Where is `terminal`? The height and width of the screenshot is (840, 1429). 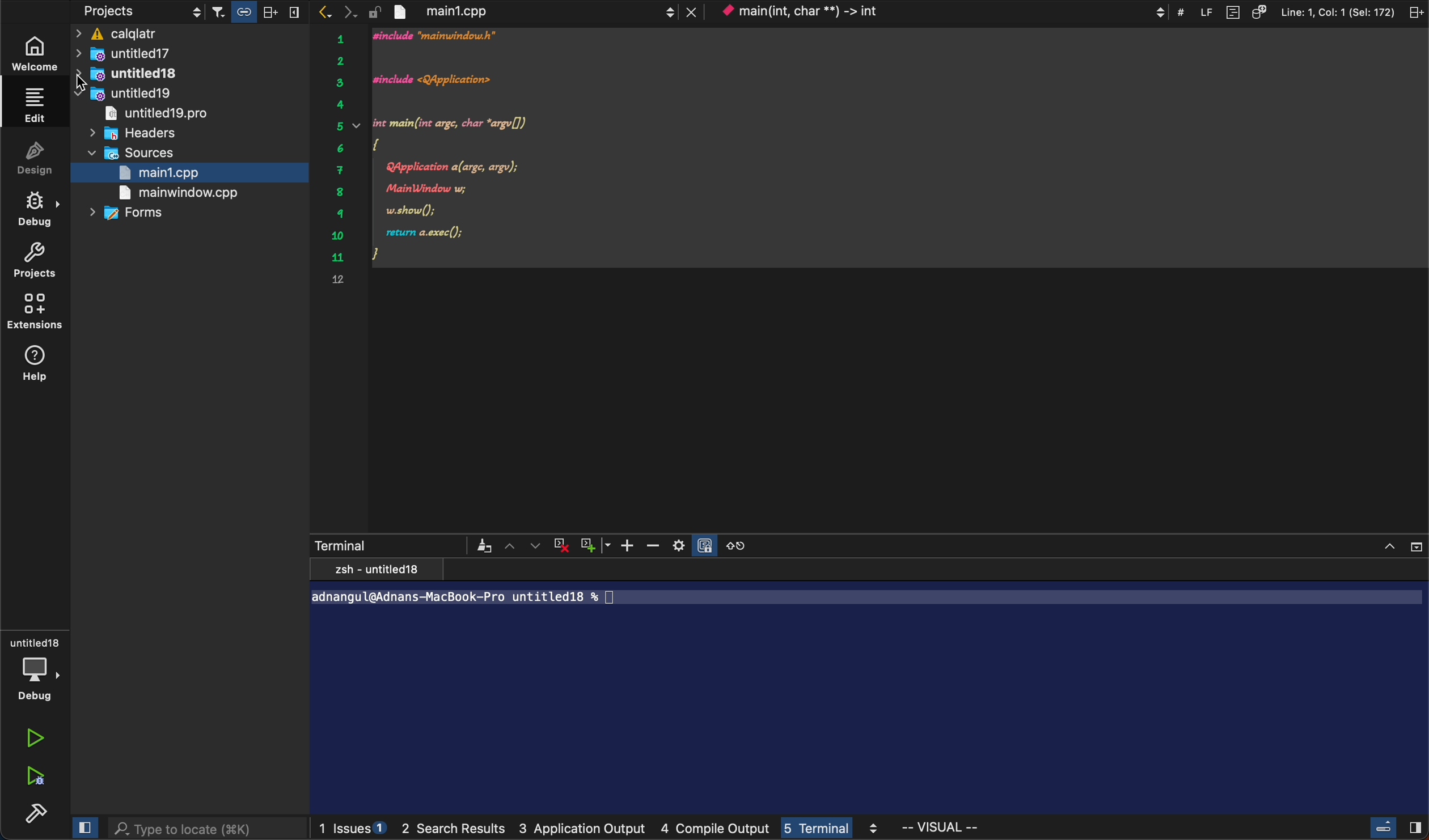
terminal is located at coordinates (827, 826).